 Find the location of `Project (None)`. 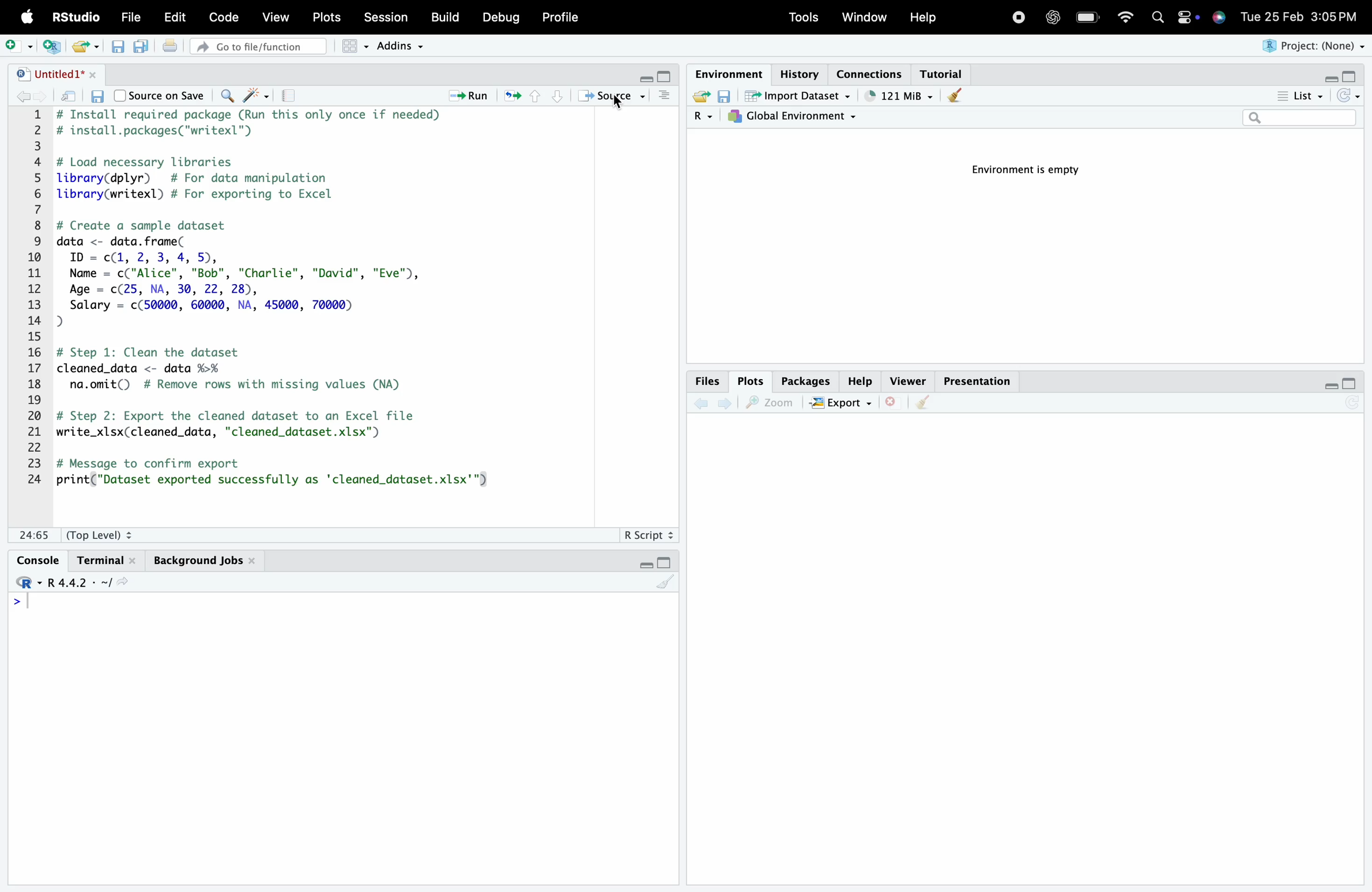

Project (None) is located at coordinates (1315, 47).